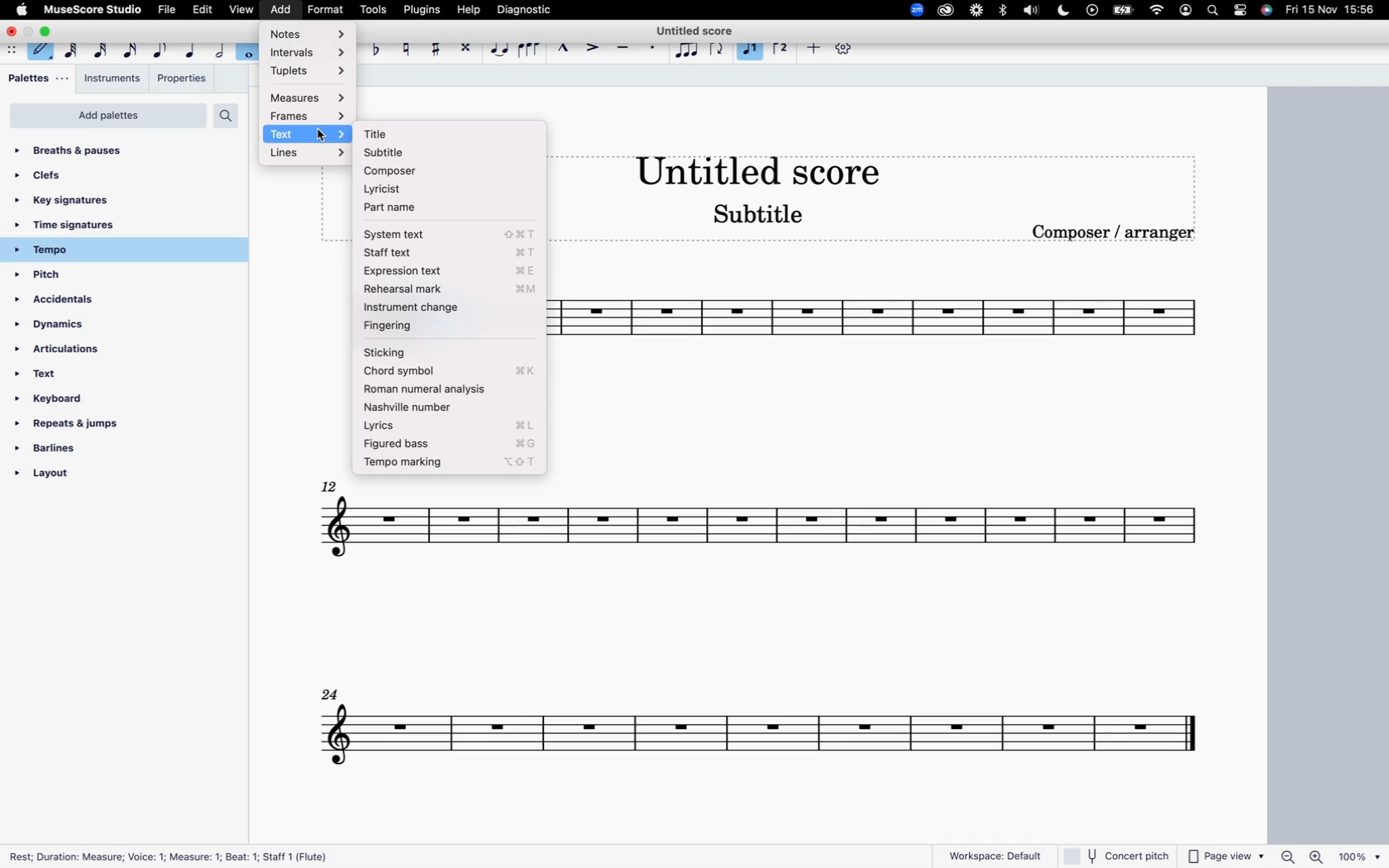 The width and height of the screenshot is (1389, 868). What do you see at coordinates (84, 276) in the screenshot?
I see `pitch` at bounding box center [84, 276].